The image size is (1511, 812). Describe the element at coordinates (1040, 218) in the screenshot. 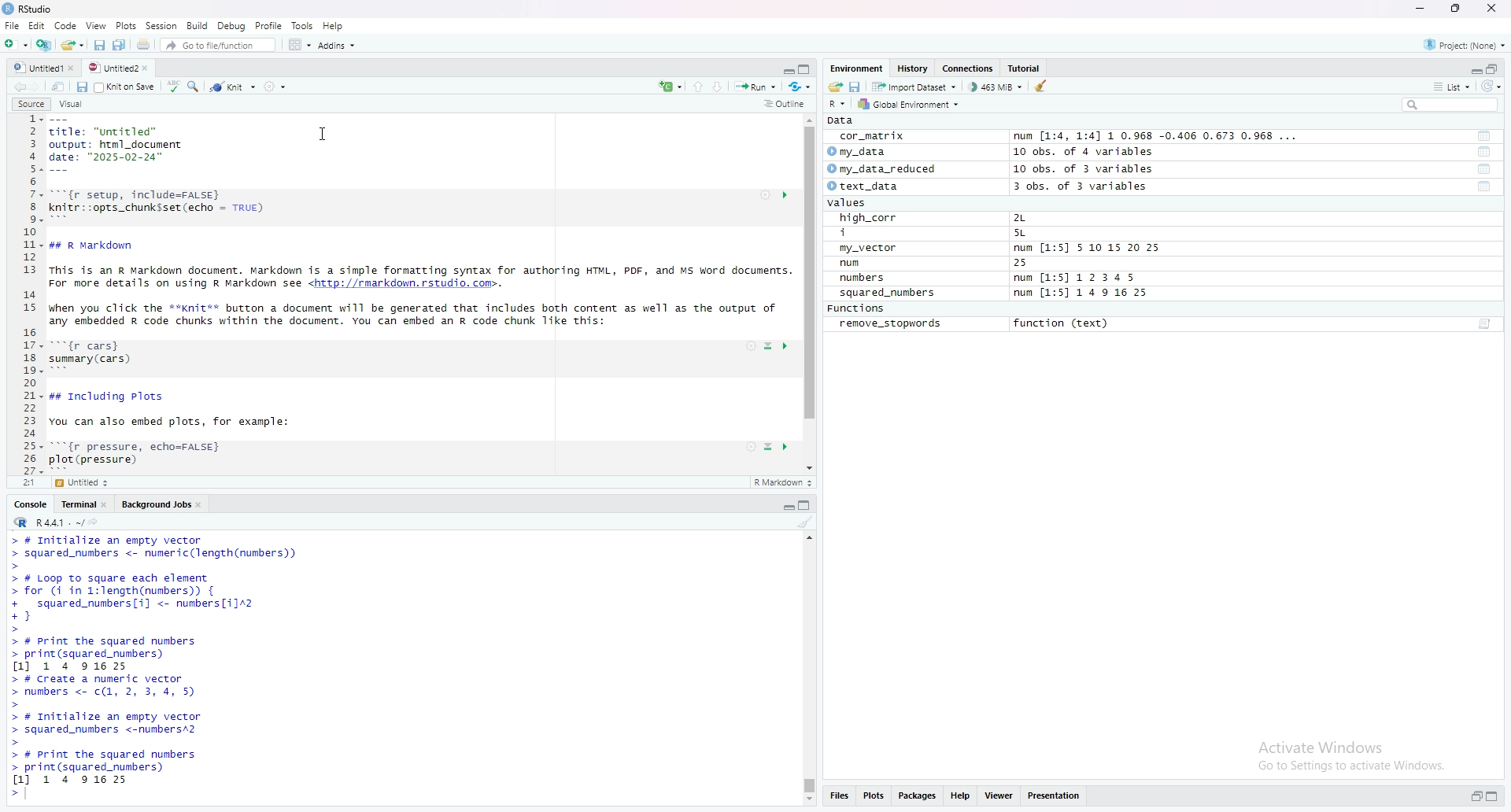

I see `2L` at that location.